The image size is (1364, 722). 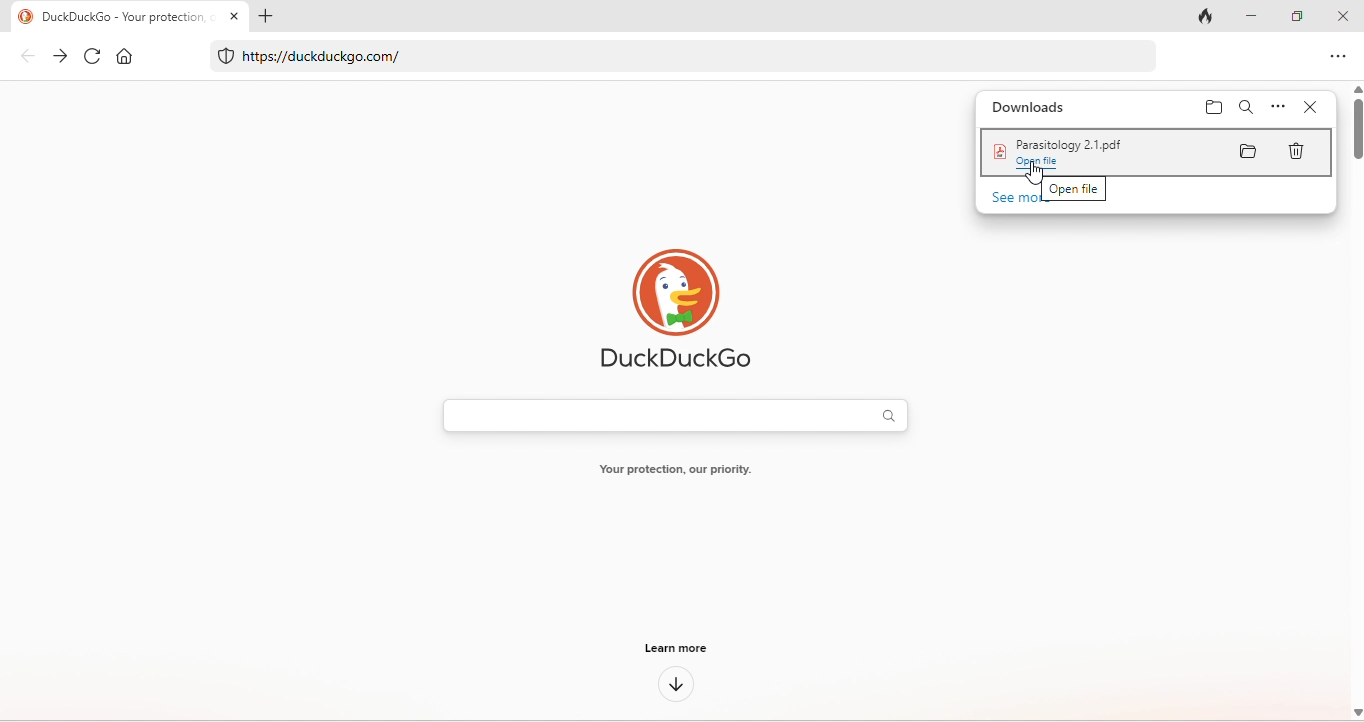 I want to click on close, so click(x=1311, y=108).